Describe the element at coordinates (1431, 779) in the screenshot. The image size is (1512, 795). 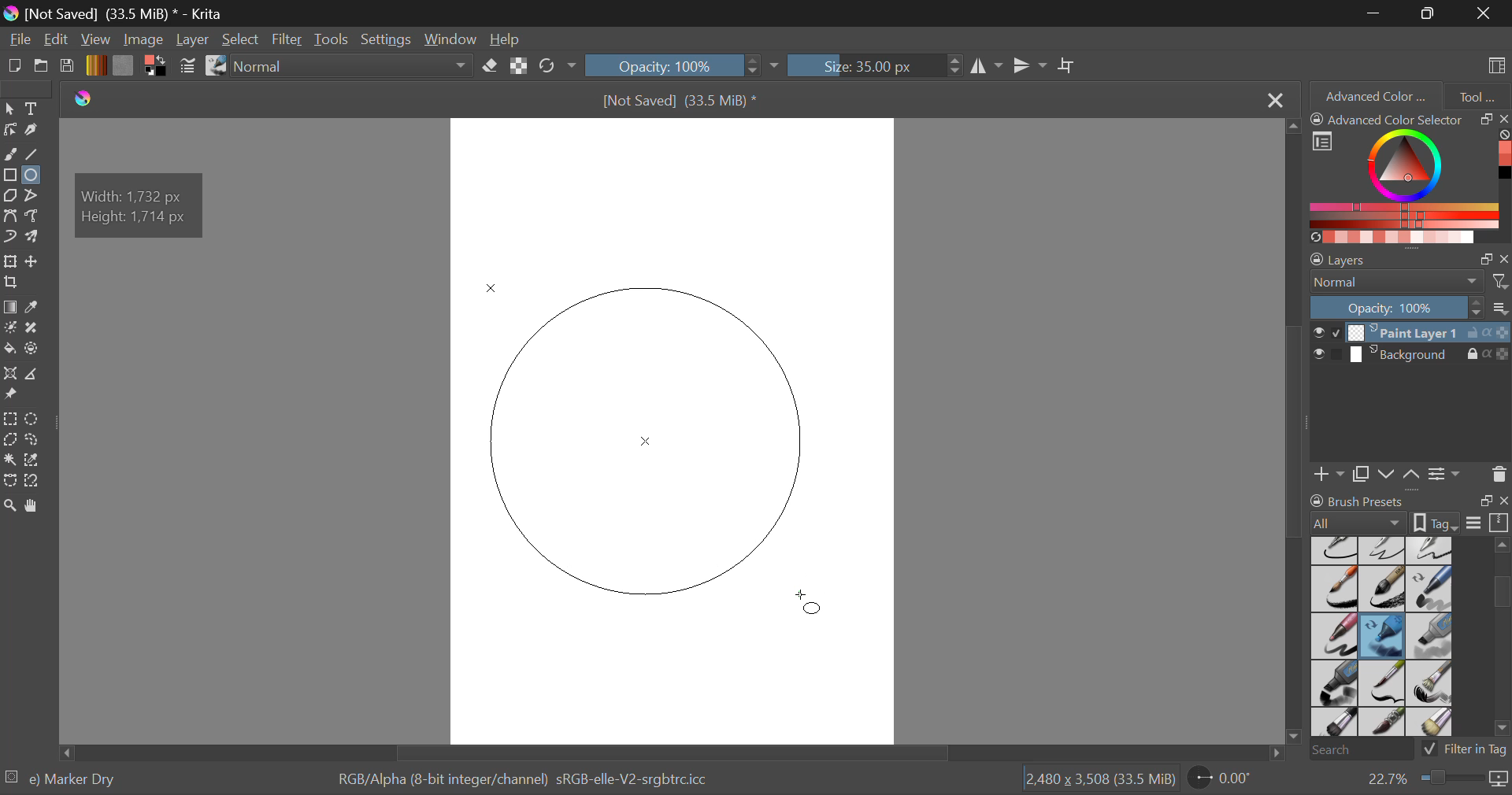
I see `Zoom 22.7%` at that location.